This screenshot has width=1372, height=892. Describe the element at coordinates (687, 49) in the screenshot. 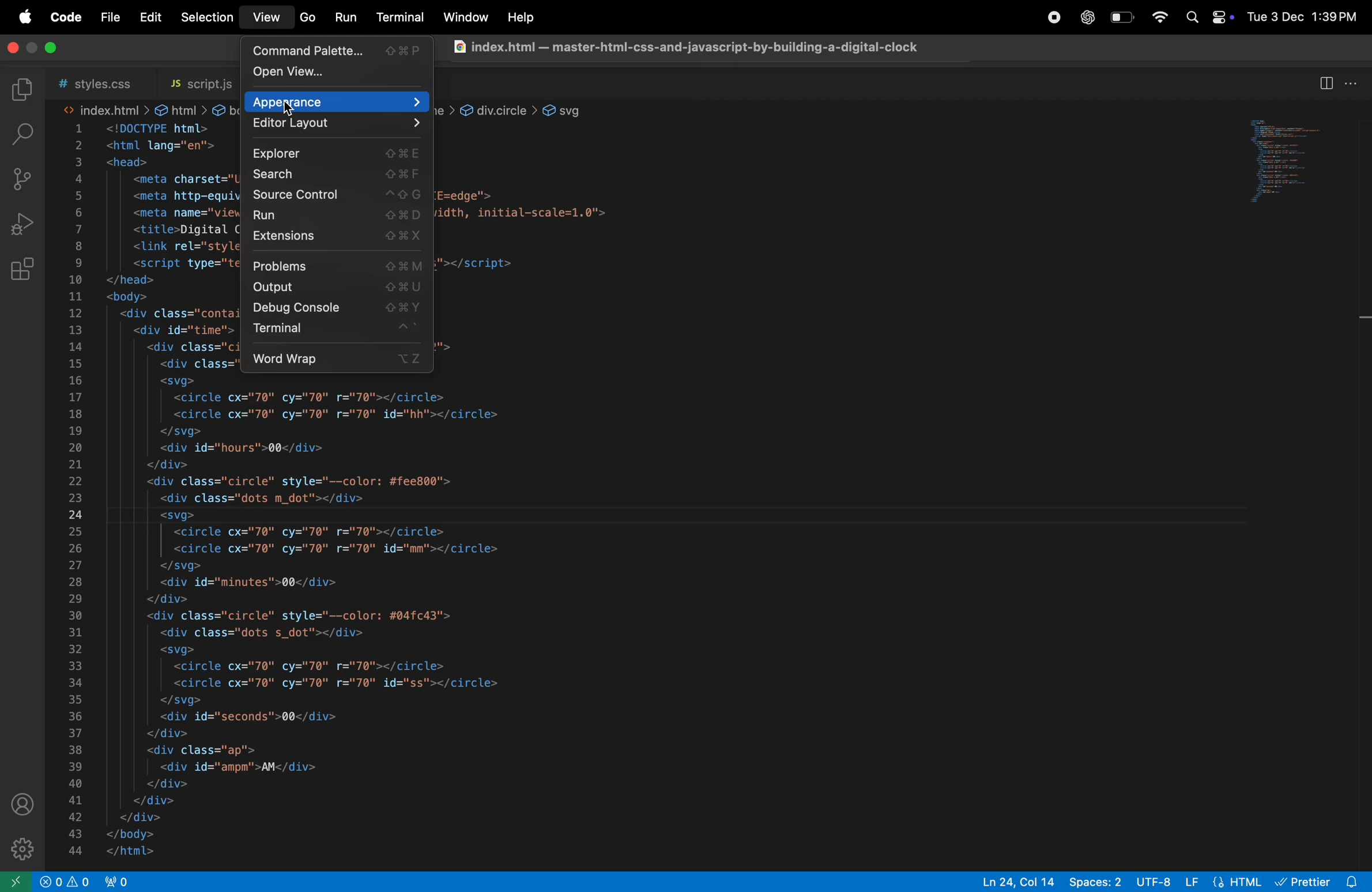

I see `chrome file index .html` at that location.